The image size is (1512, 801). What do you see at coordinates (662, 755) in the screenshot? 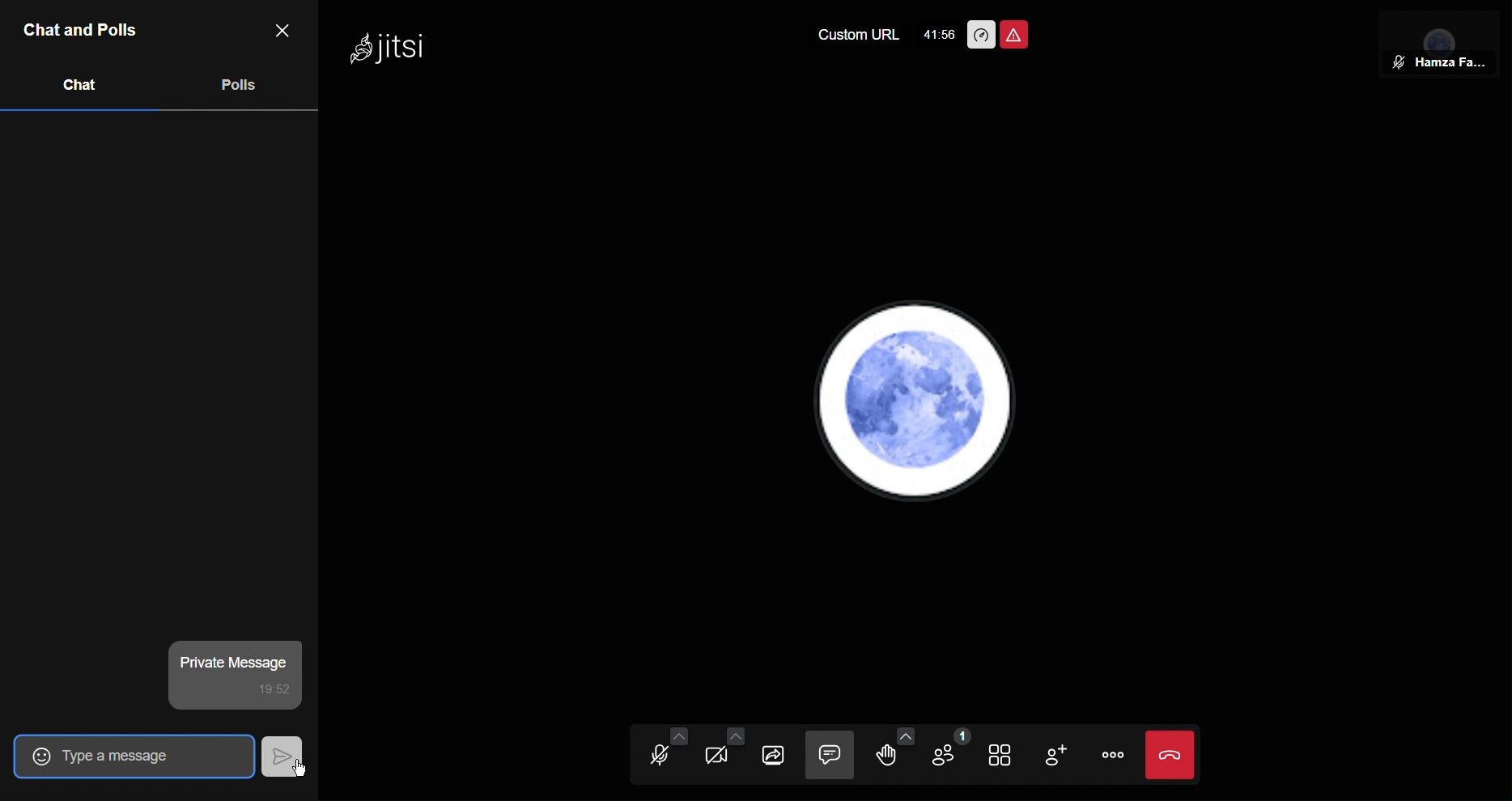
I see `Audio` at bounding box center [662, 755].